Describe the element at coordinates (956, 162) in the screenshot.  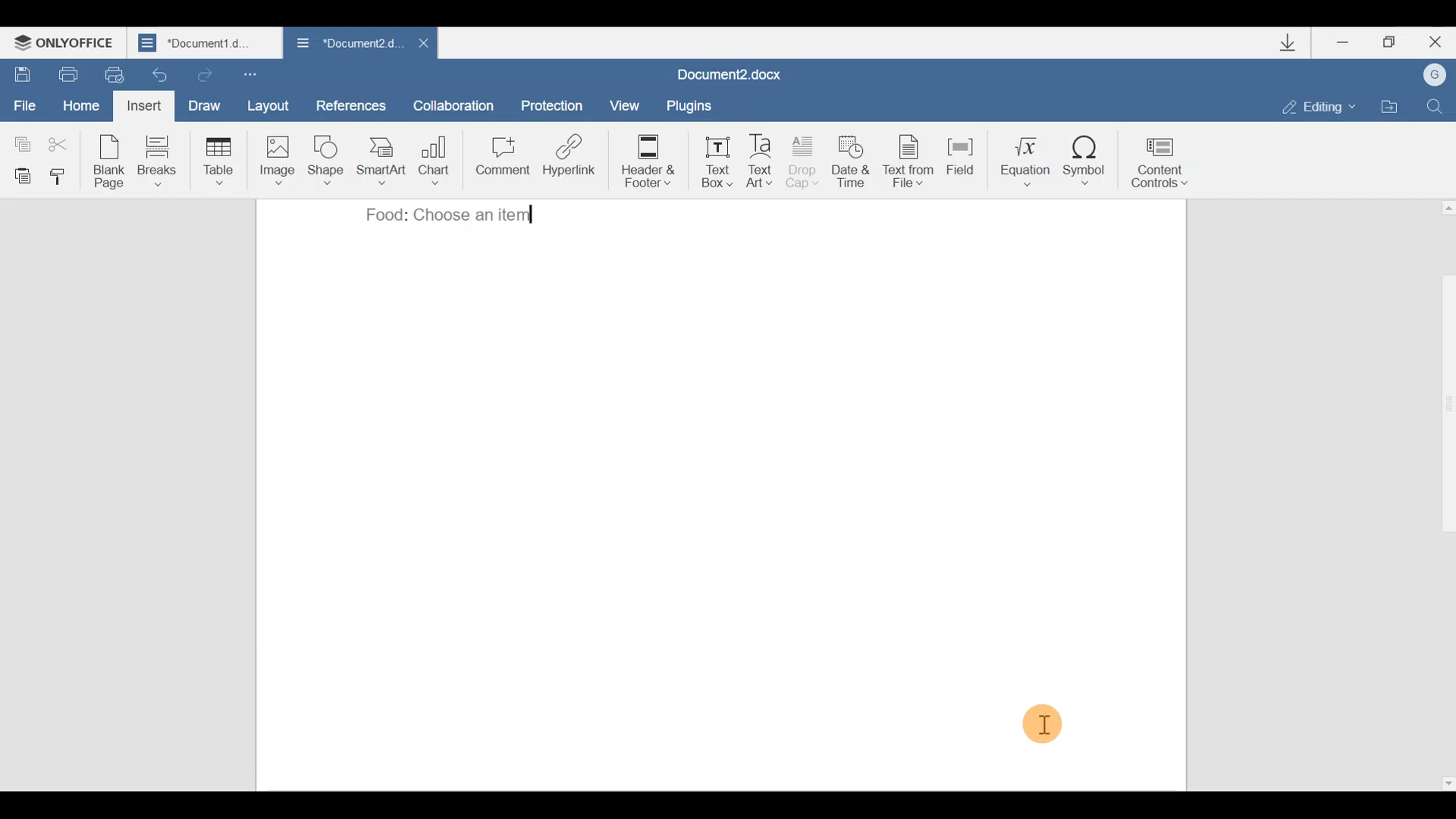
I see `Field` at that location.